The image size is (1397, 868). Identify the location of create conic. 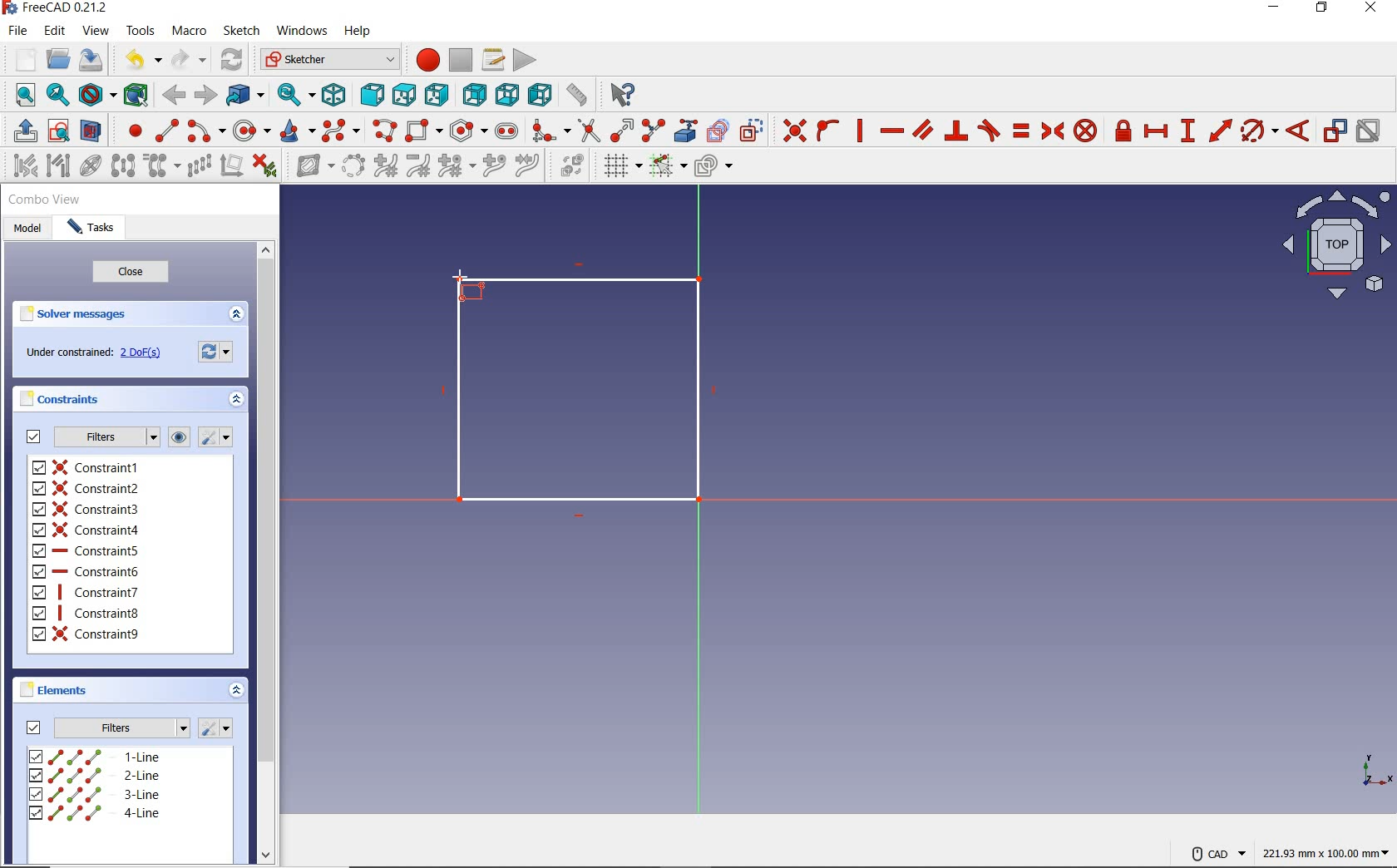
(299, 131).